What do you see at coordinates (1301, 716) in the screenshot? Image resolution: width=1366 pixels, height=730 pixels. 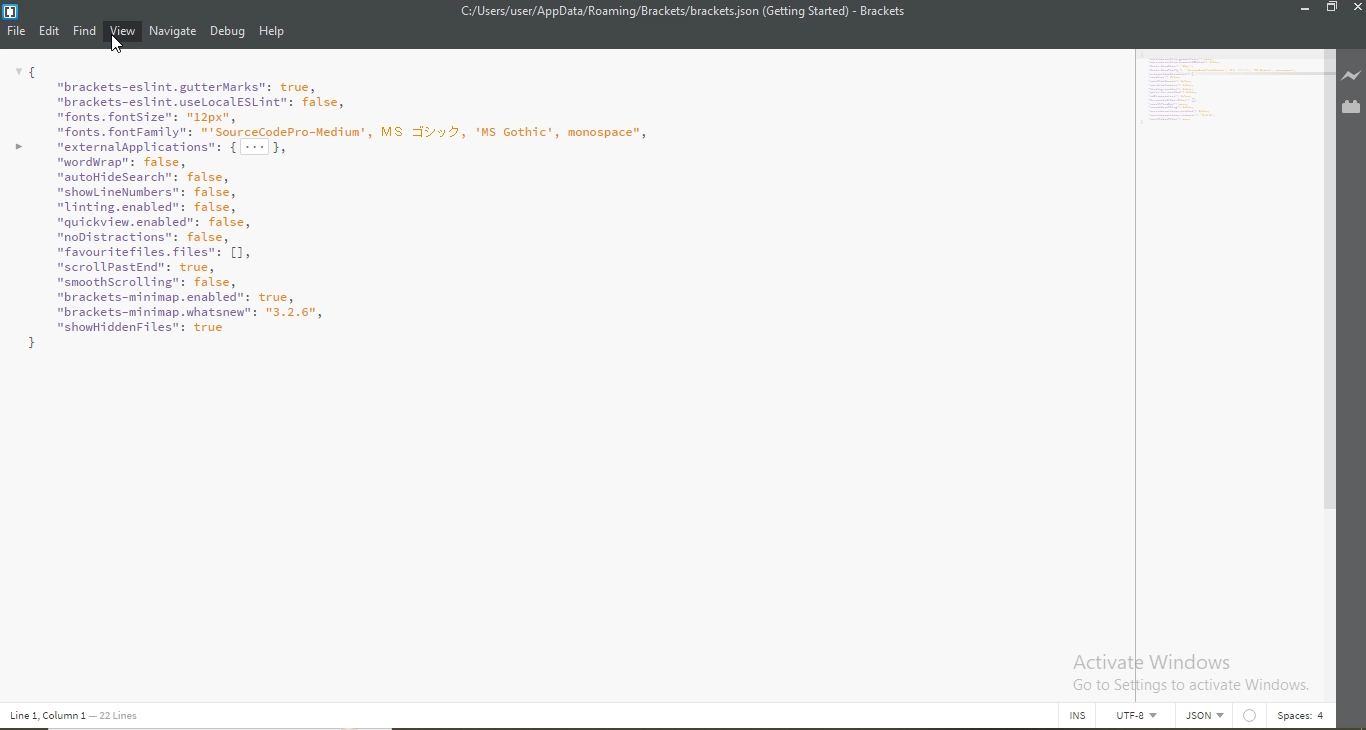 I see `Spaces:4` at bounding box center [1301, 716].